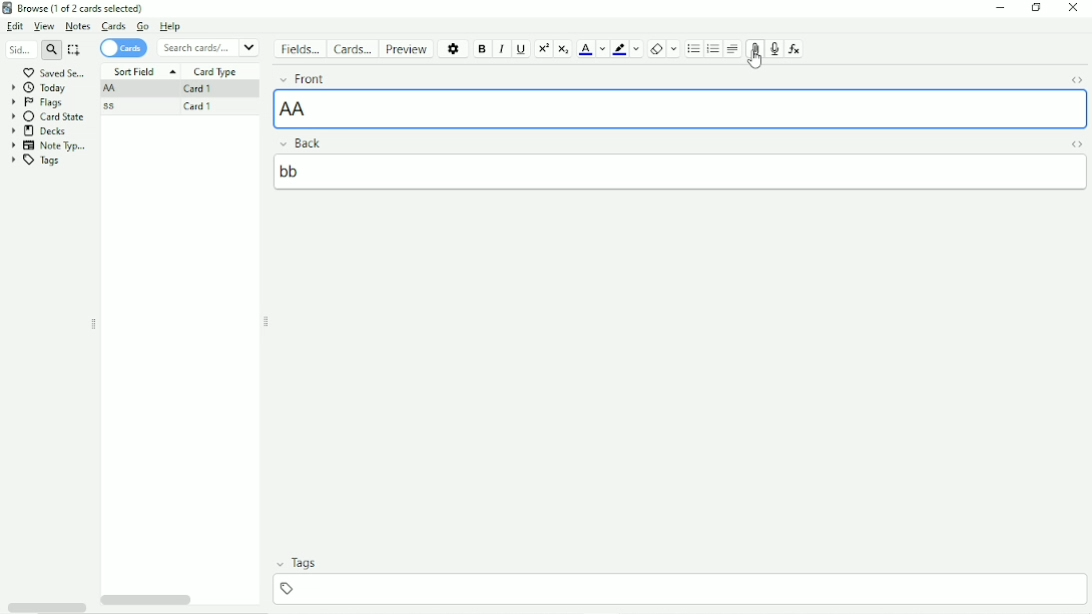 Image resolution: width=1092 pixels, height=614 pixels. What do you see at coordinates (775, 49) in the screenshot?
I see `Record audio` at bounding box center [775, 49].